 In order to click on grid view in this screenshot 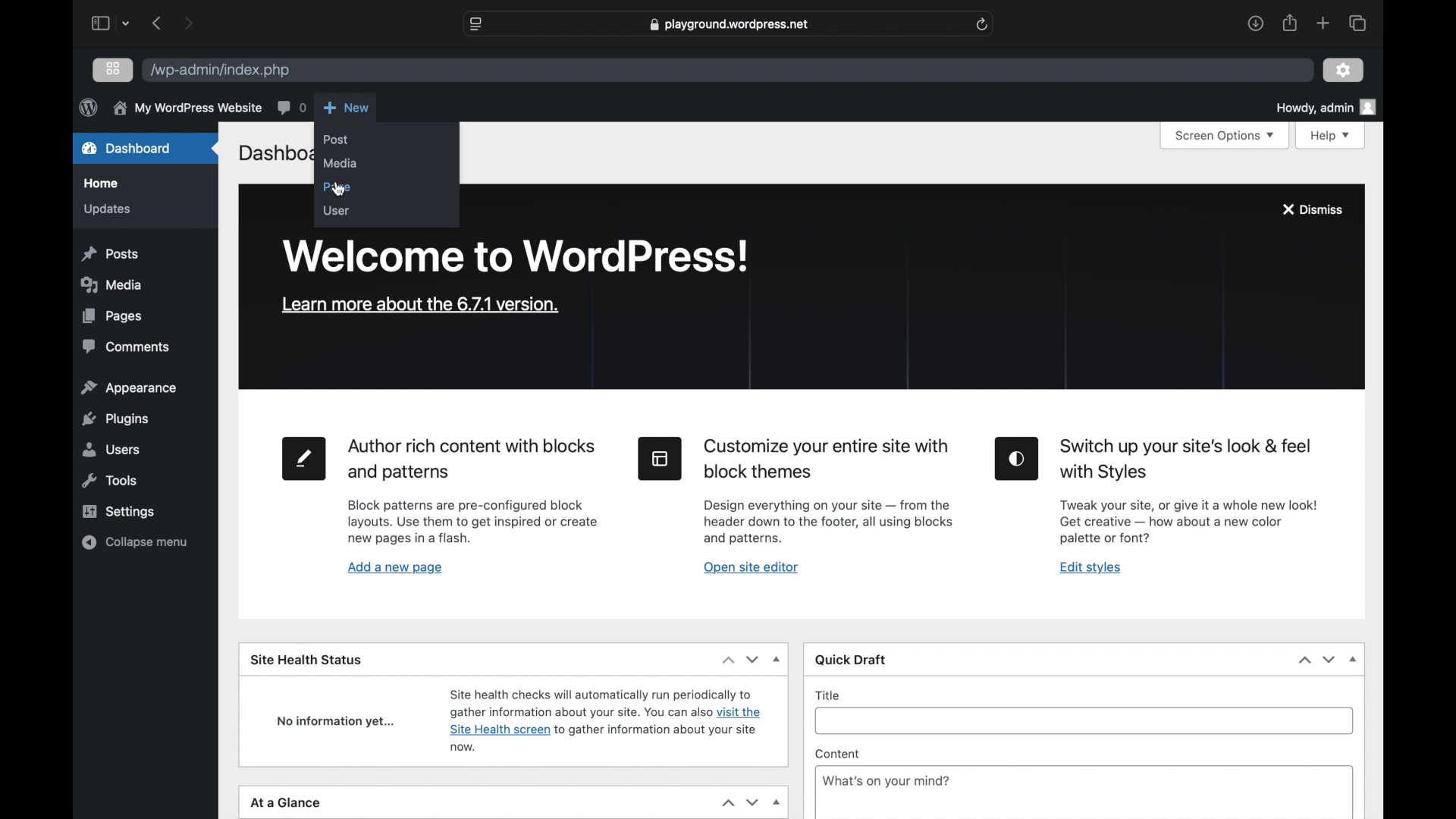, I will do `click(113, 70)`.